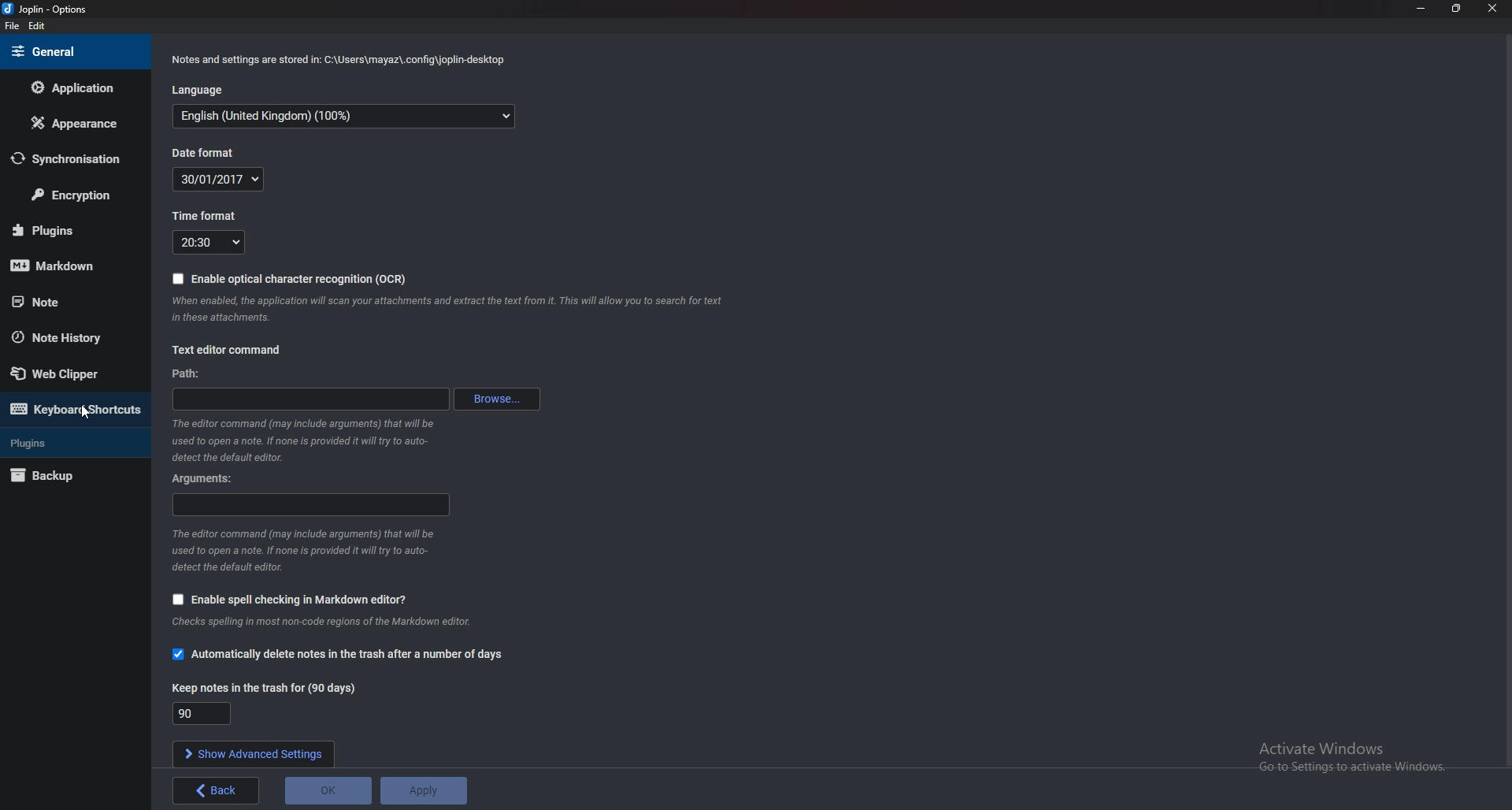 The image size is (1512, 810). What do you see at coordinates (65, 302) in the screenshot?
I see `note` at bounding box center [65, 302].